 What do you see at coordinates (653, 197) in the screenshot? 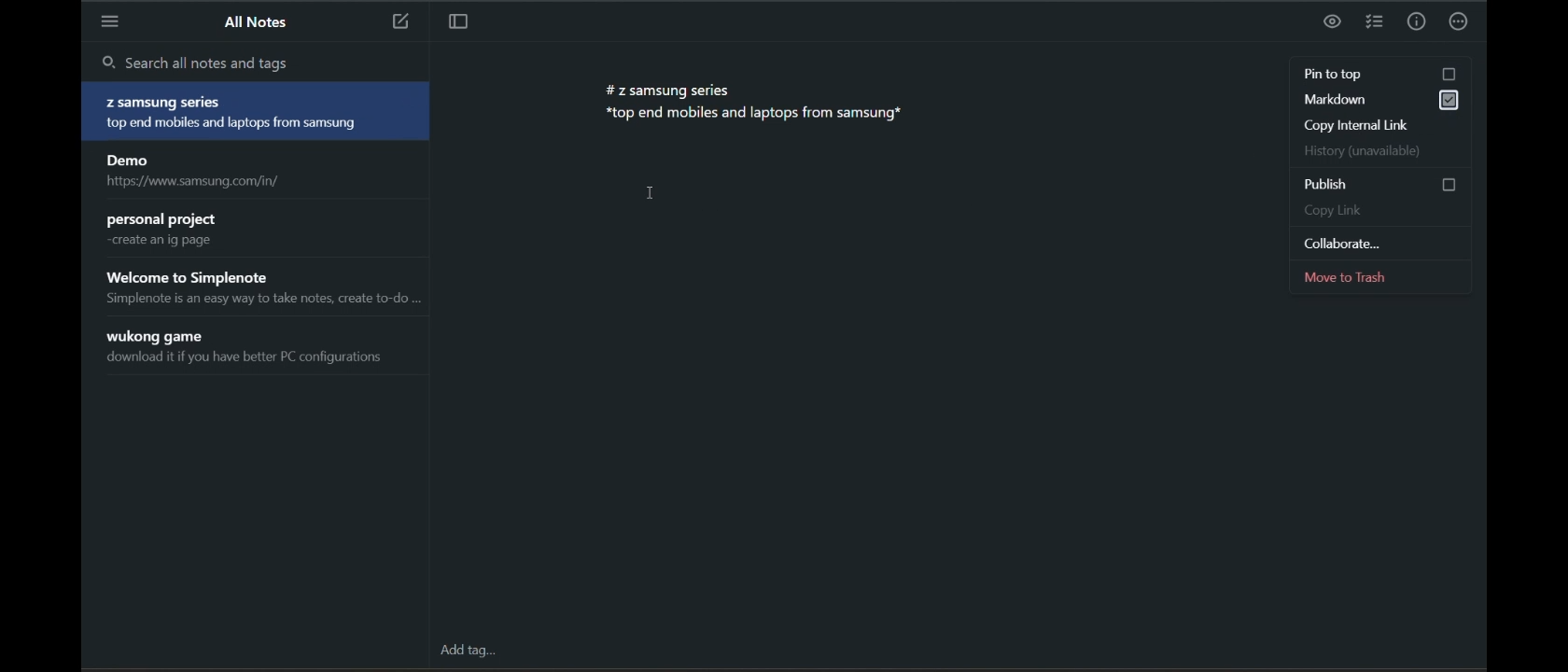
I see `cursor` at bounding box center [653, 197].